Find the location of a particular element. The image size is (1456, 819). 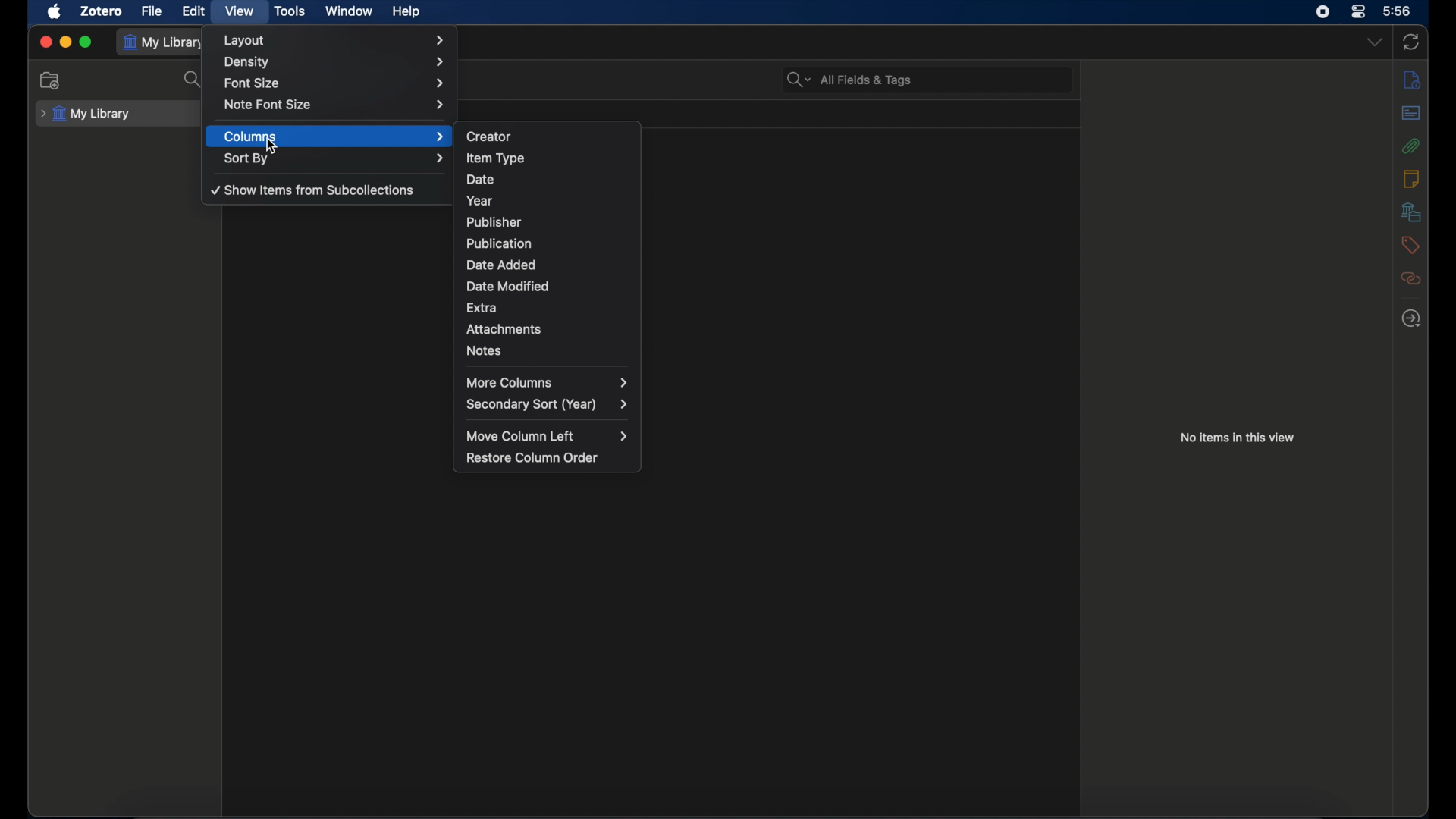

help is located at coordinates (408, 12).